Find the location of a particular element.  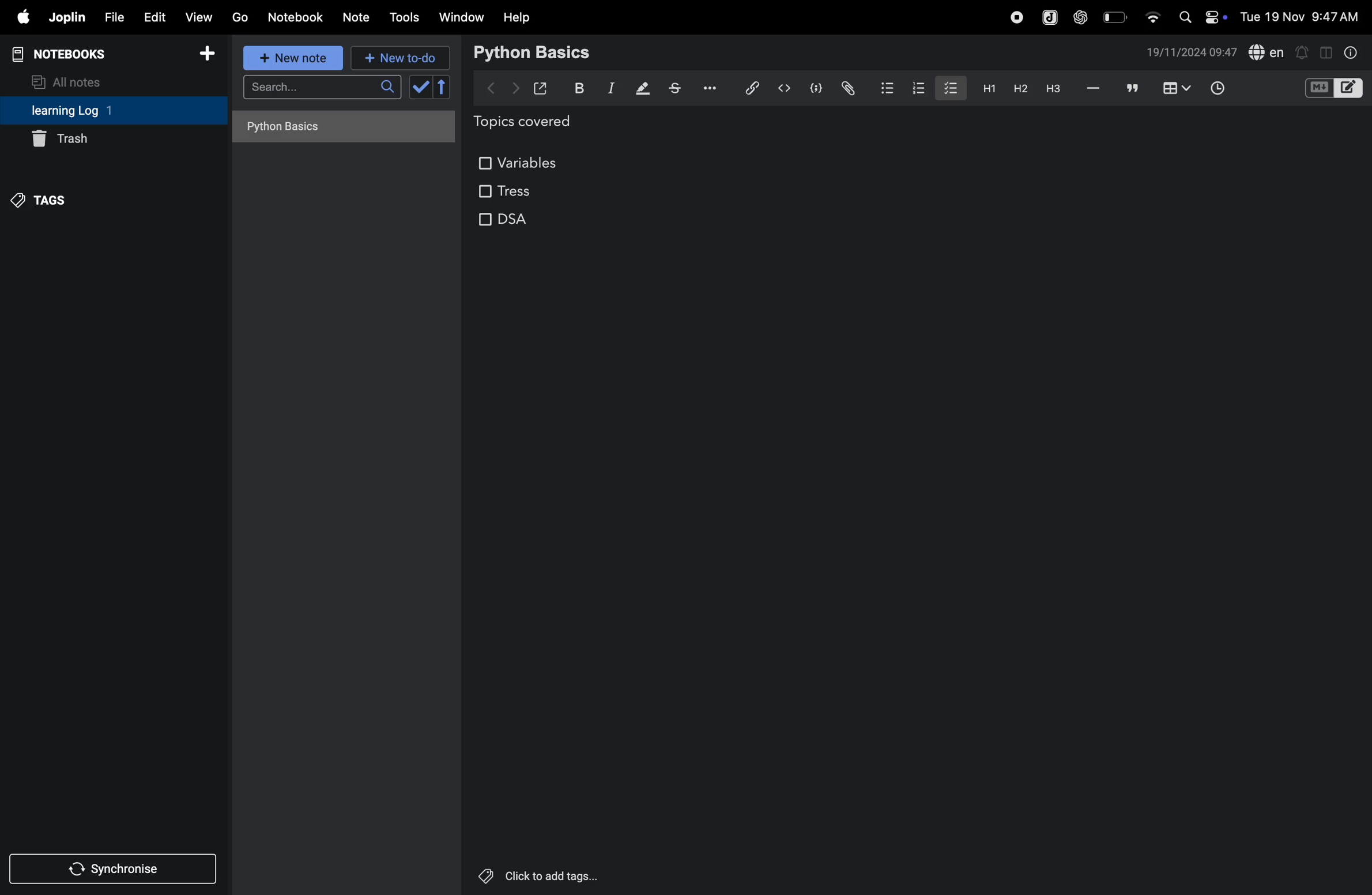

joplin is located at coordinates (66, 17).